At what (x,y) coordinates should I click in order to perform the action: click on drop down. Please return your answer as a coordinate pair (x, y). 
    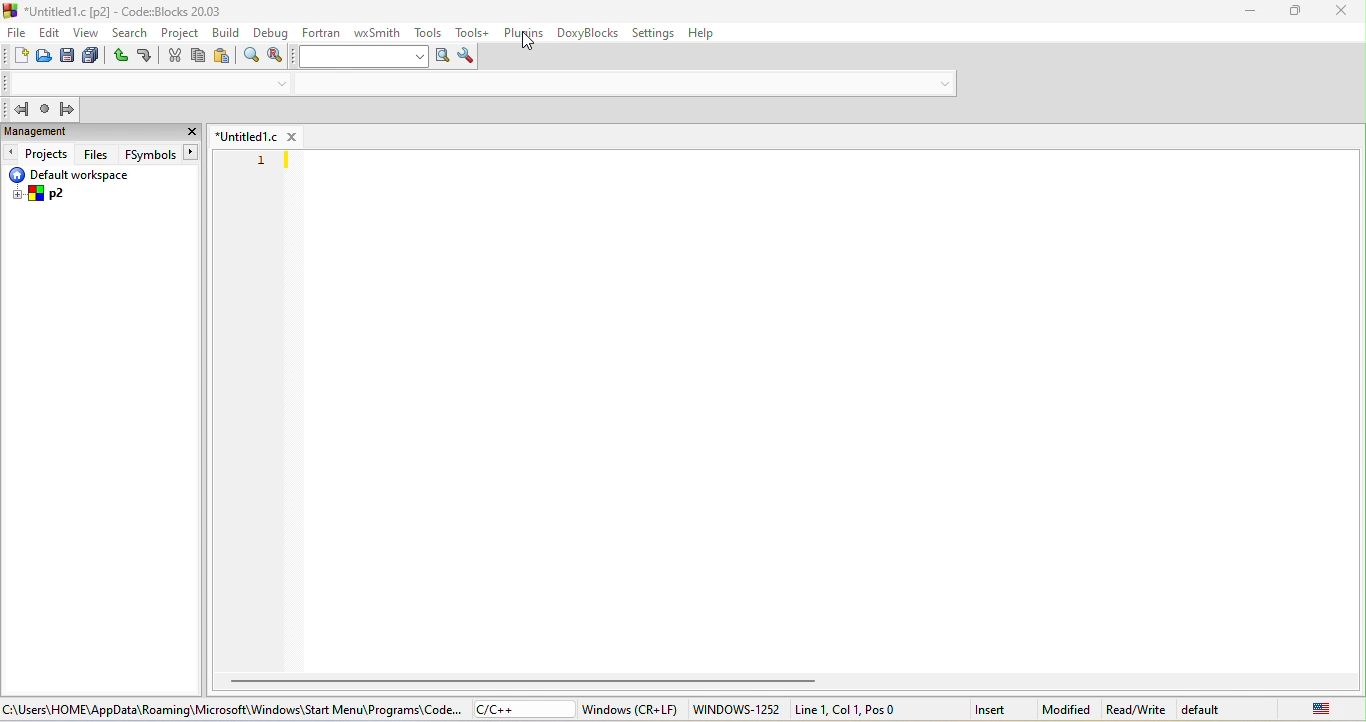
    Looking at the image, I should click on (944, 84).